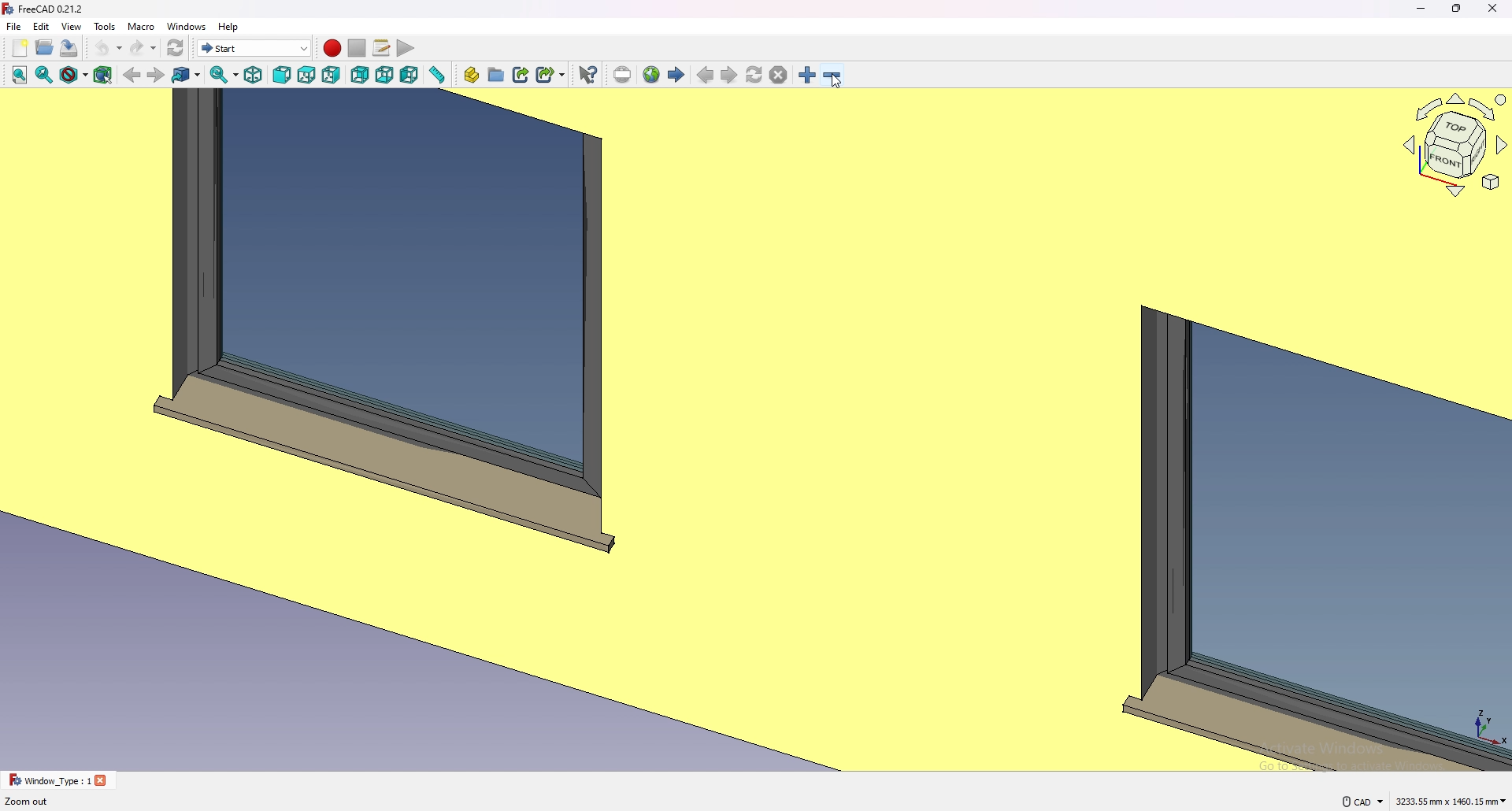 This screenshot has width=1512, height=811. Describe the element at coordinates (384, 76) in the screenshot. I see `bottom` at that location.